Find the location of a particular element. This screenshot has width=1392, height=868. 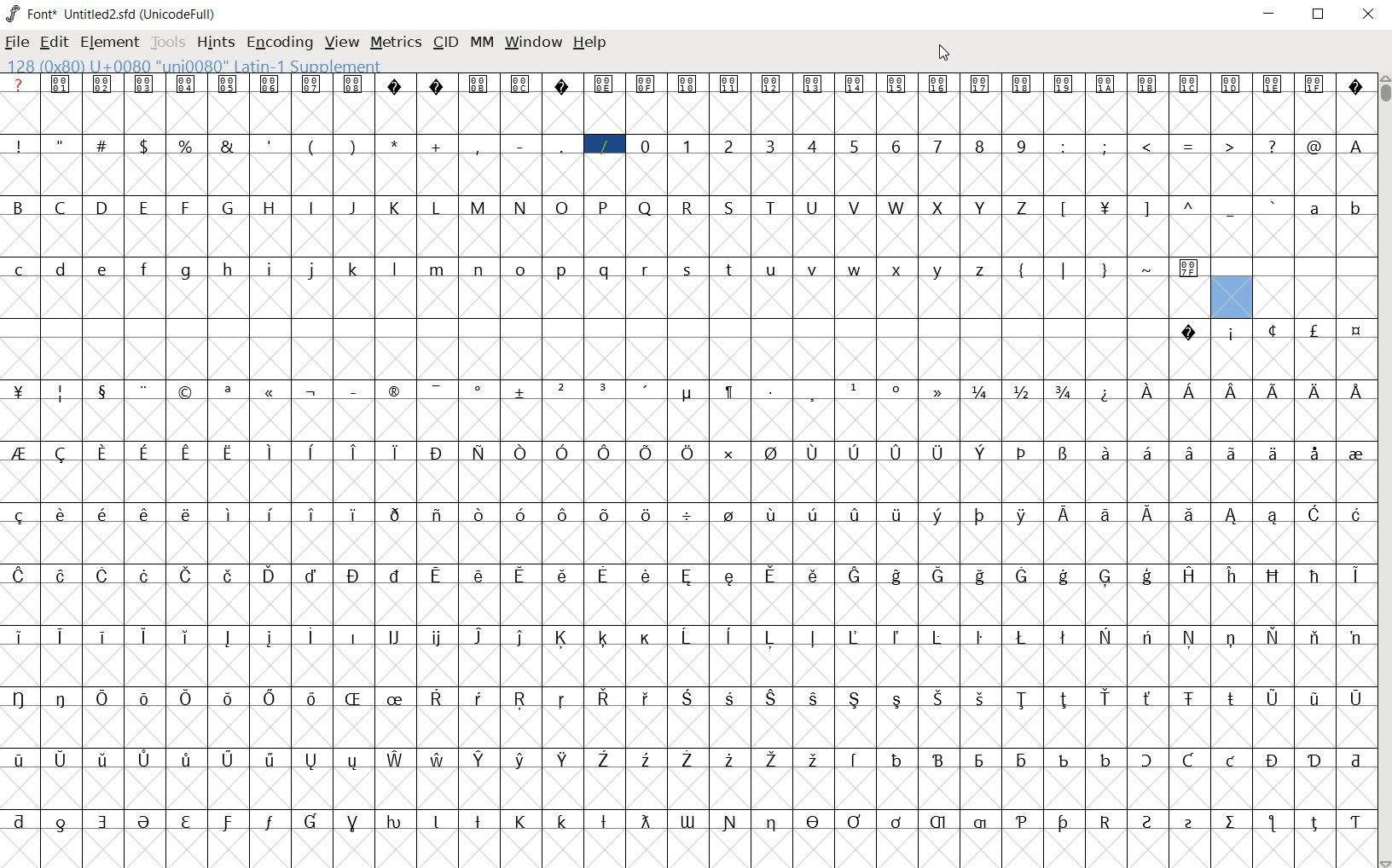

glyph is located at coordinates (815, 576).